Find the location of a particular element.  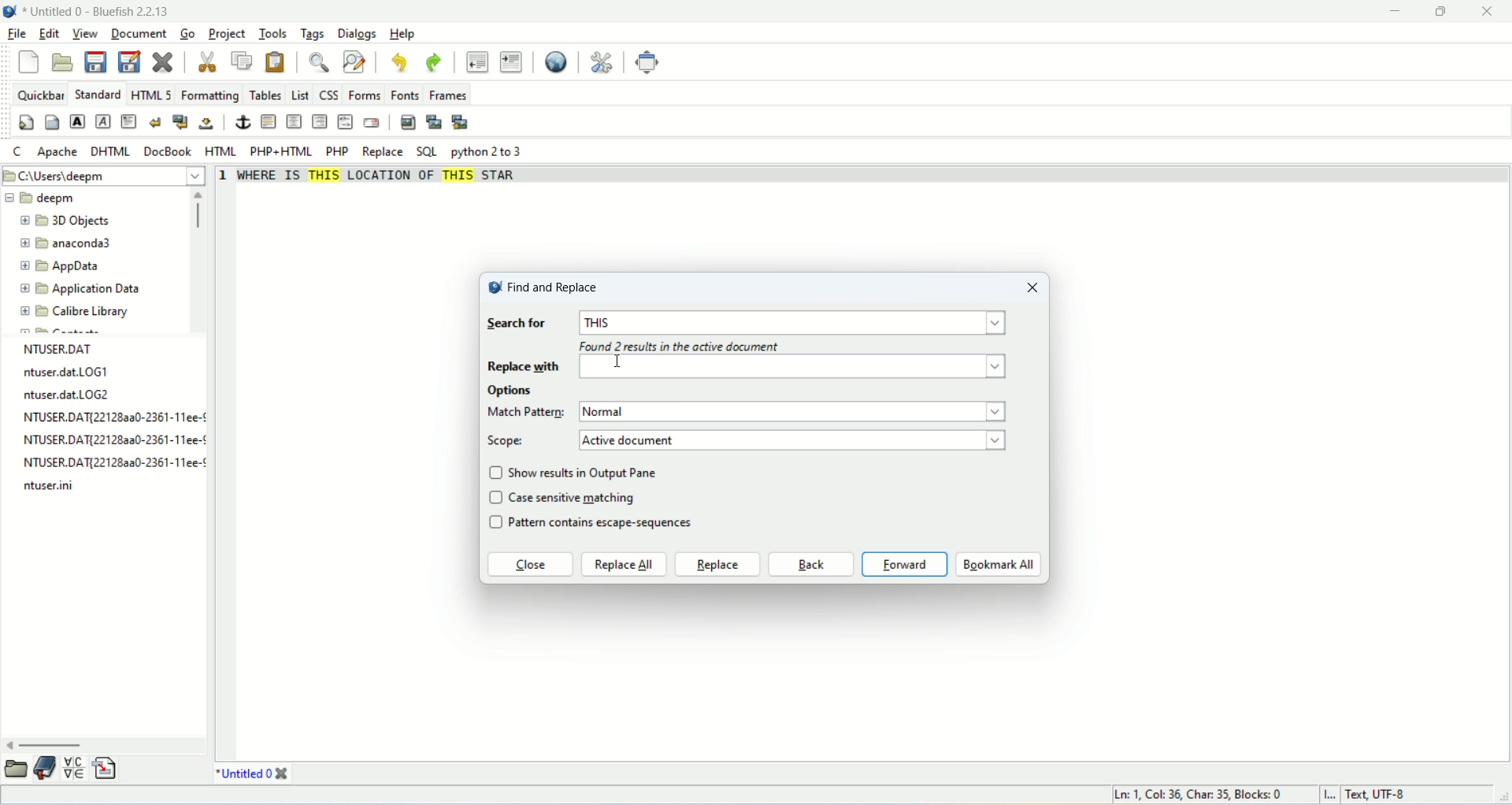

HTML5 is located at coordinates (149, 95).